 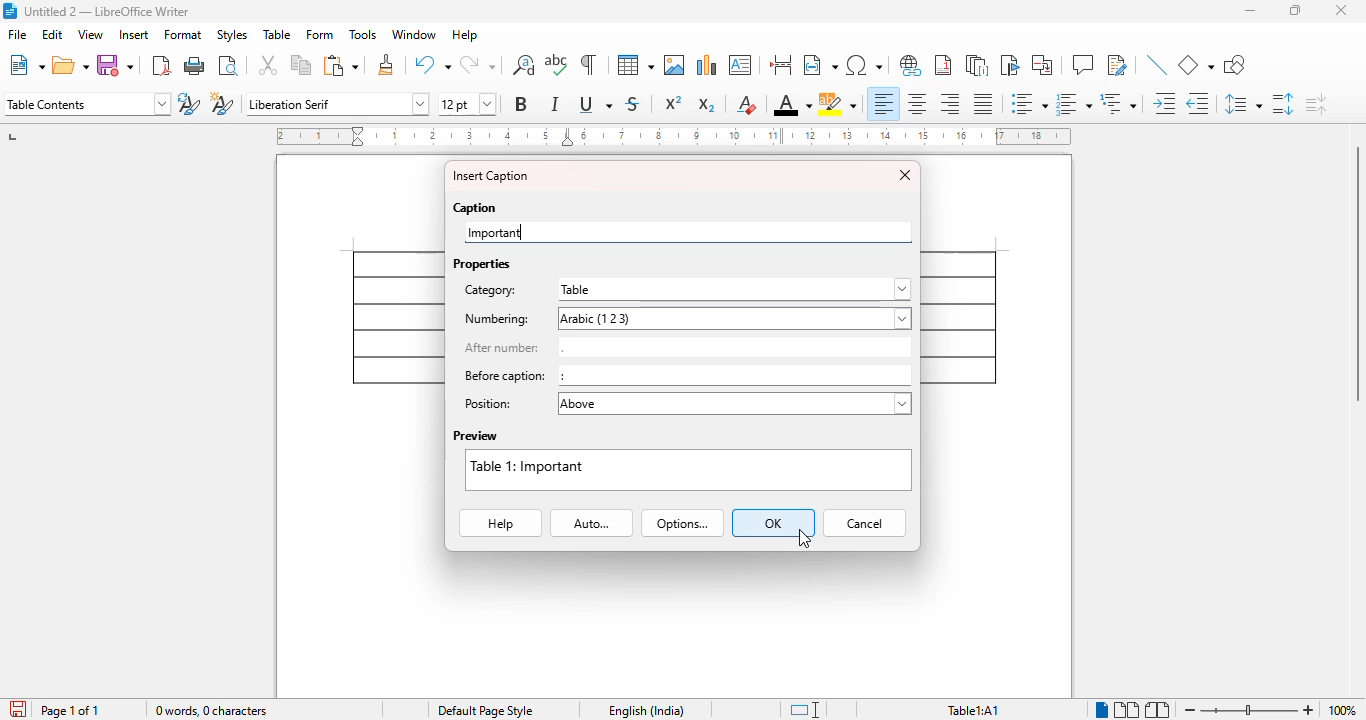 I want to click on align right, so click(x=948, y=103).